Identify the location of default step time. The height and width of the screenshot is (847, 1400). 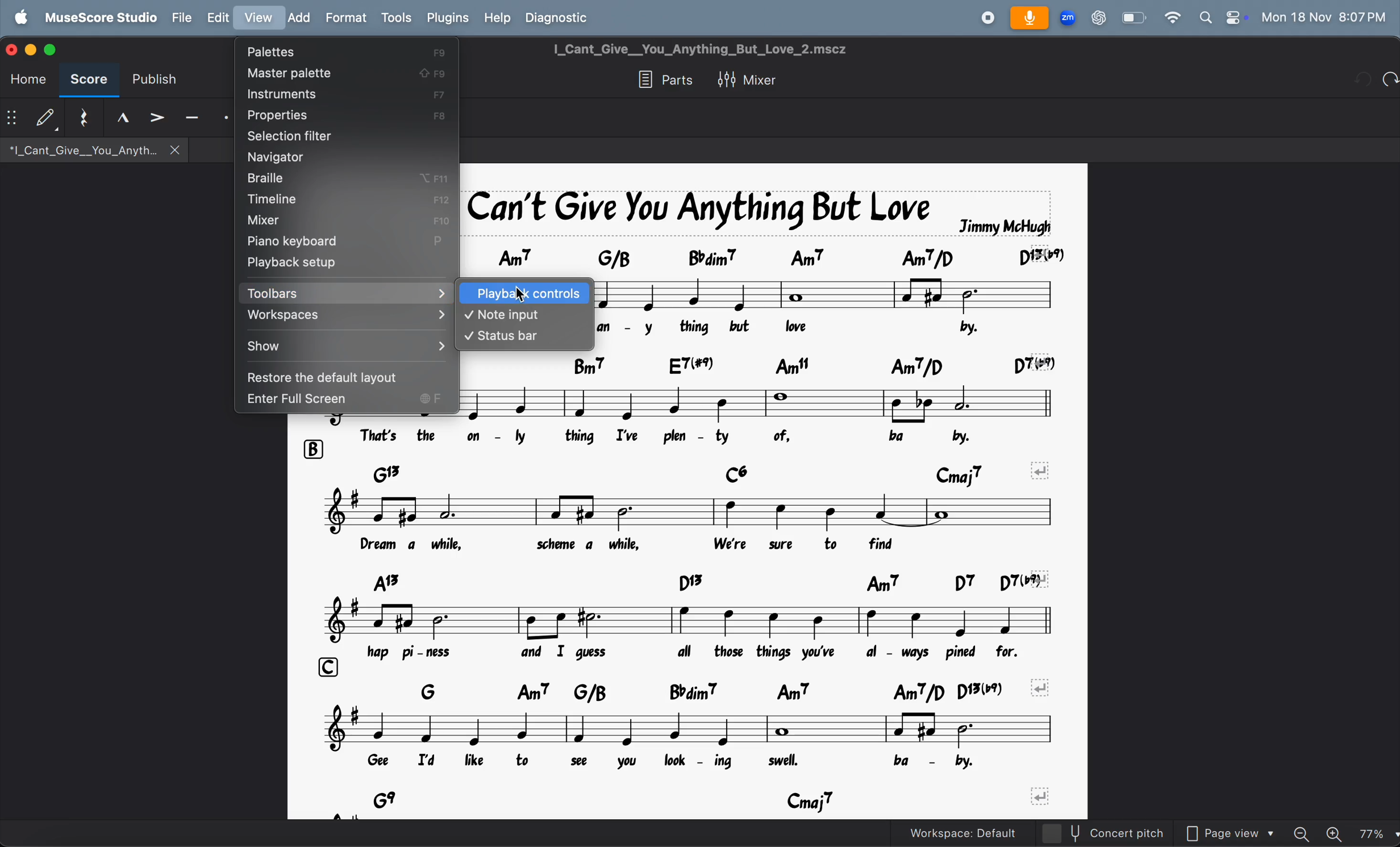
(31, 115).